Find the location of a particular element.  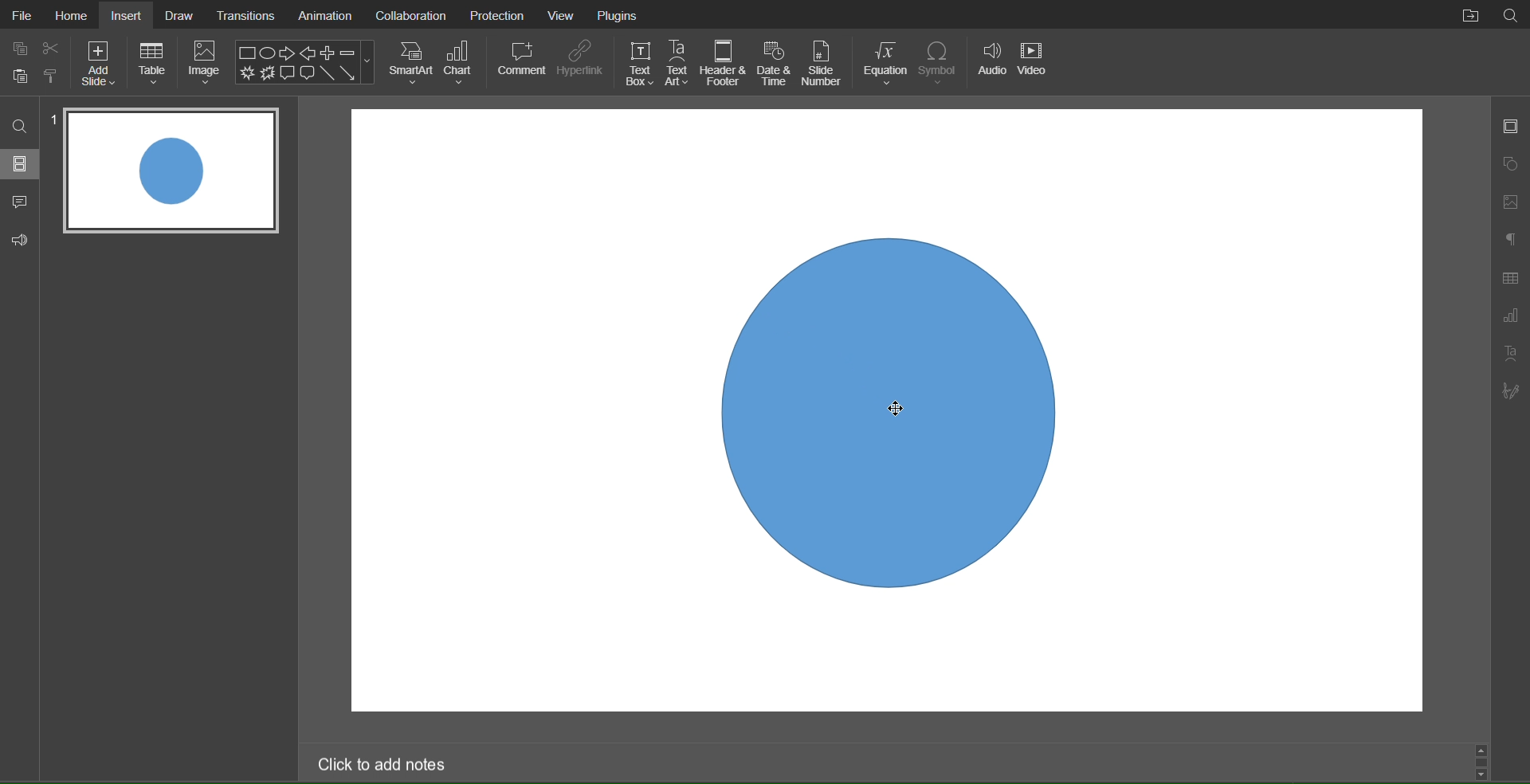

Search is located at coordinates (20, 126).